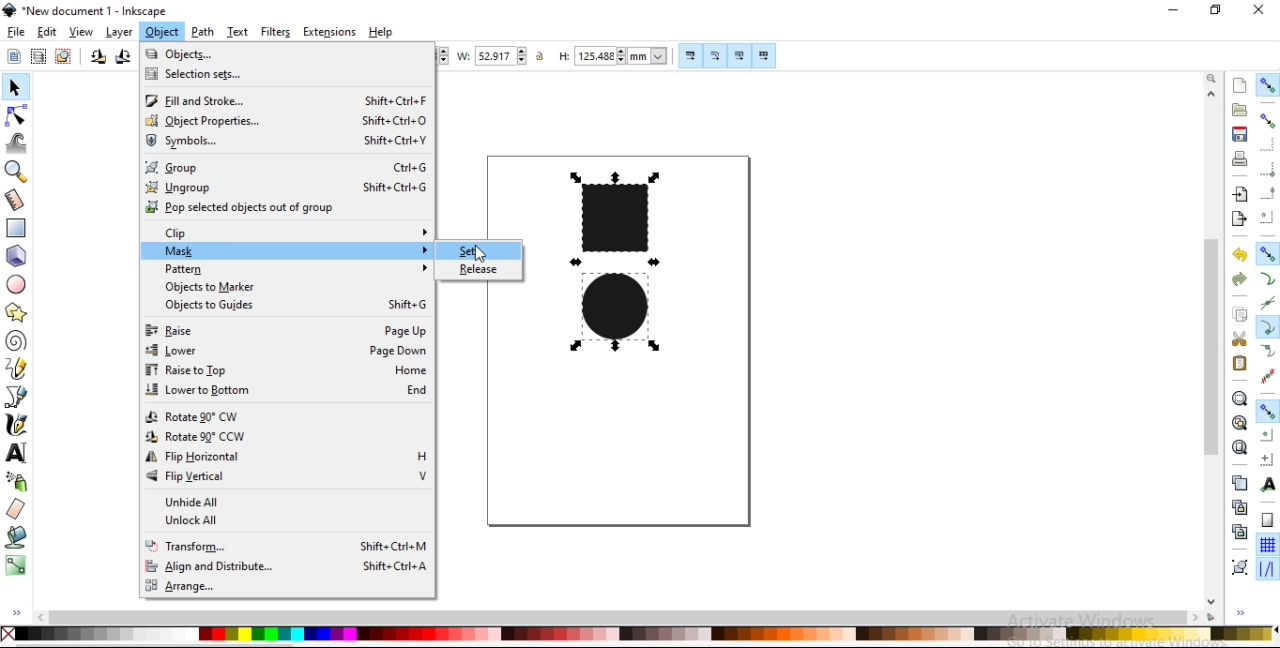 This screenshot has height=648, width=1280. I want to click on restore down, so click(1216, 10).